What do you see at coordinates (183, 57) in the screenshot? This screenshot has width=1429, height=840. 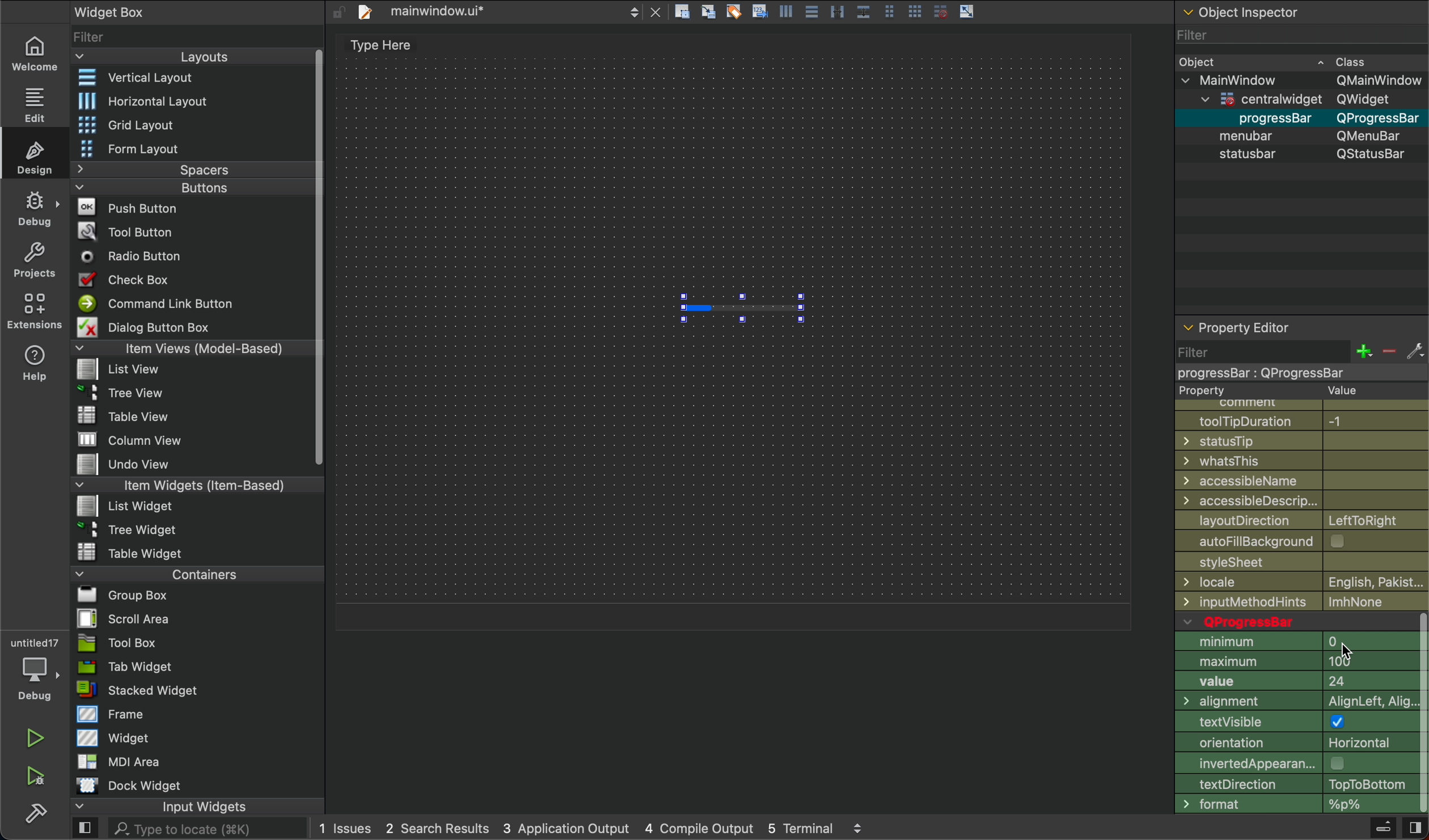 I see `Layout` at bounding box center [183, 57].